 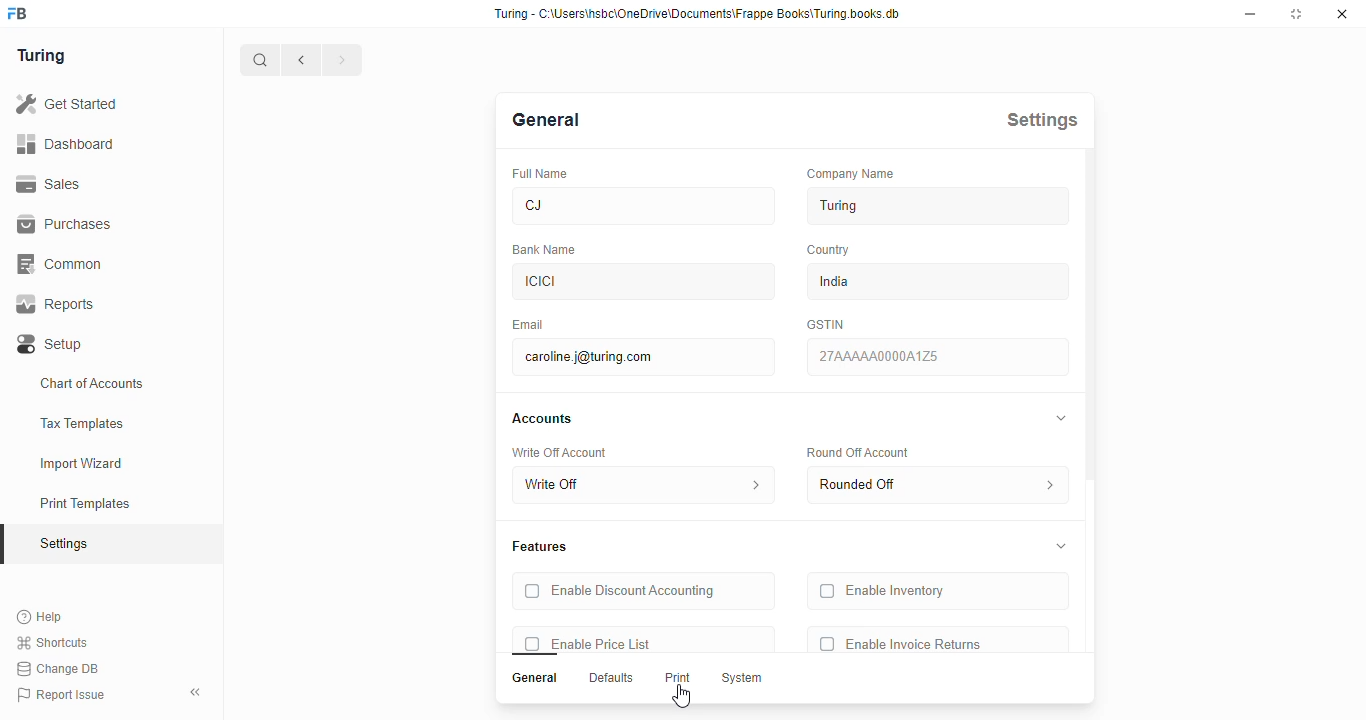 I want to click on Defaults, so click(x=611, y=678).